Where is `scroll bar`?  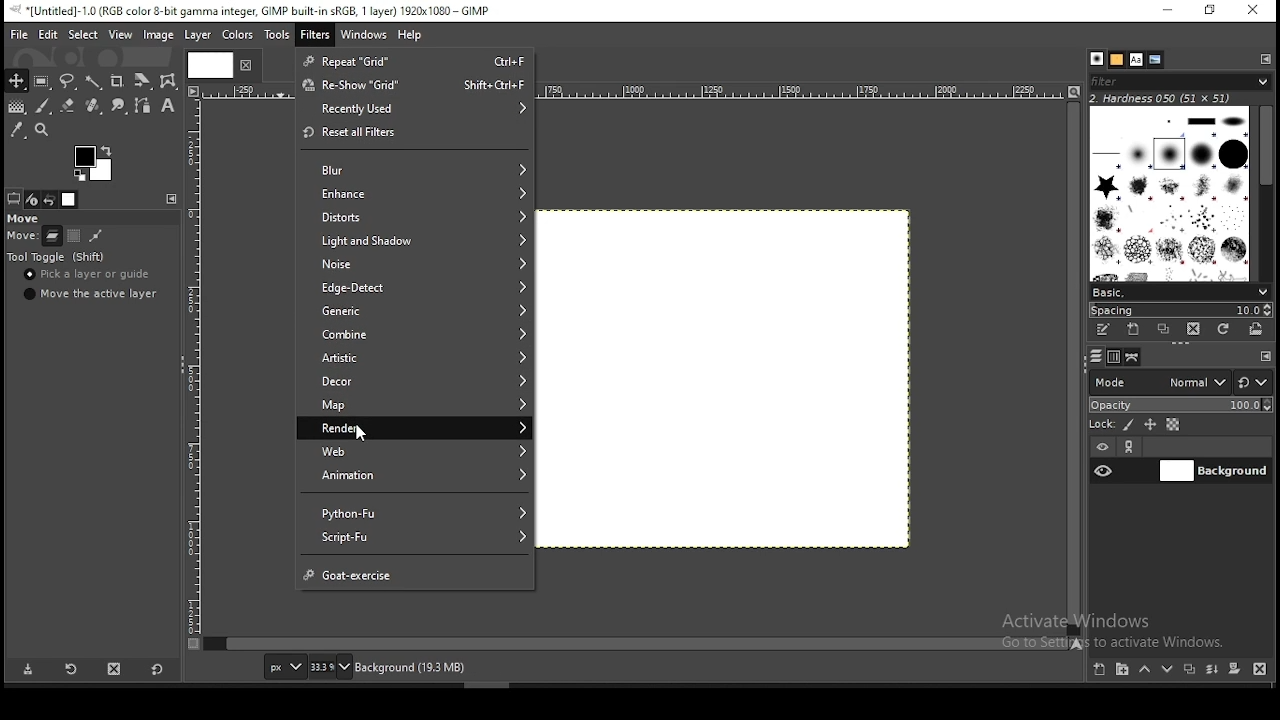 scroll bar is located at coordinates (1266, 193).